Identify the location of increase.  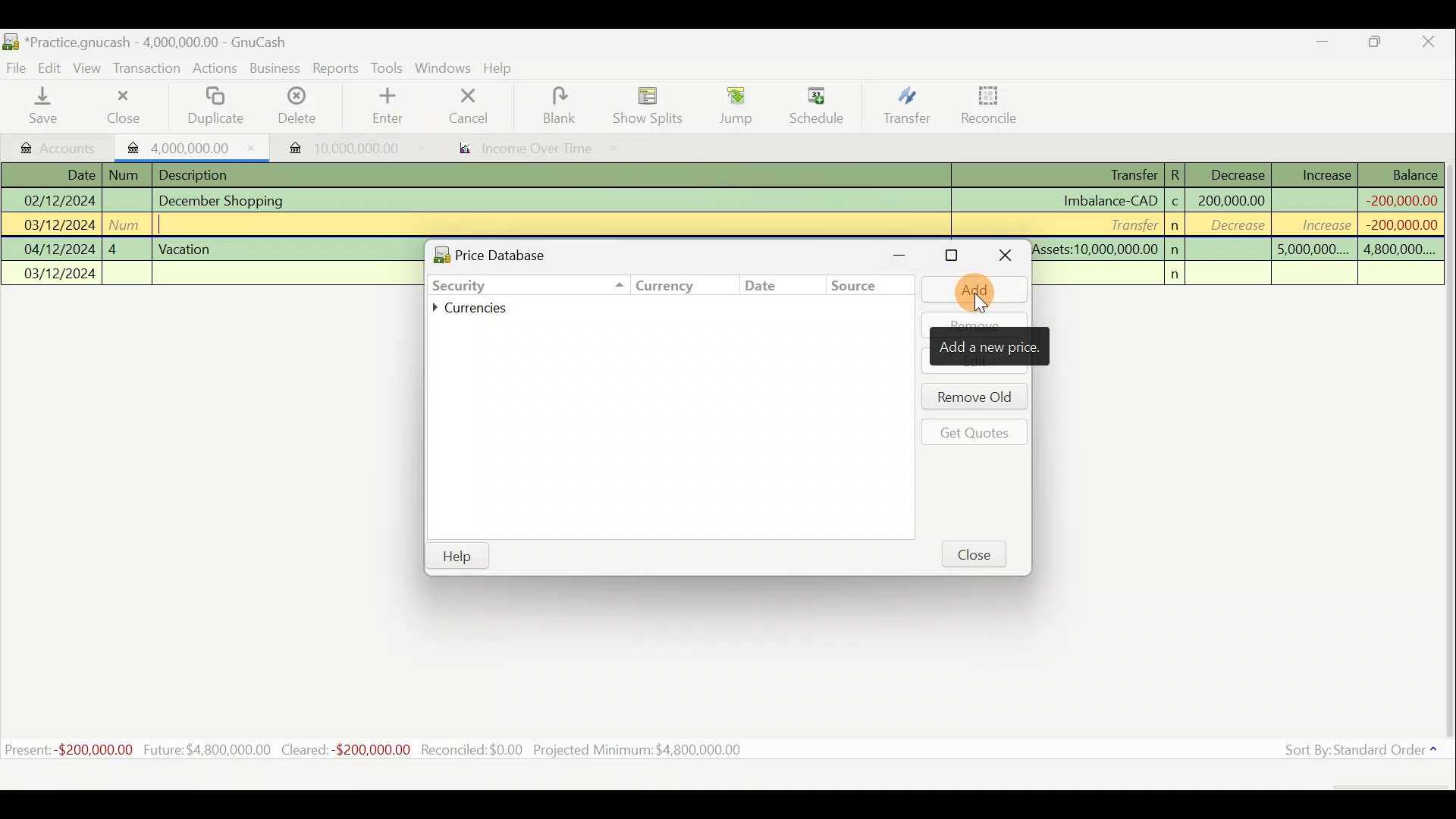
(1317, 224).